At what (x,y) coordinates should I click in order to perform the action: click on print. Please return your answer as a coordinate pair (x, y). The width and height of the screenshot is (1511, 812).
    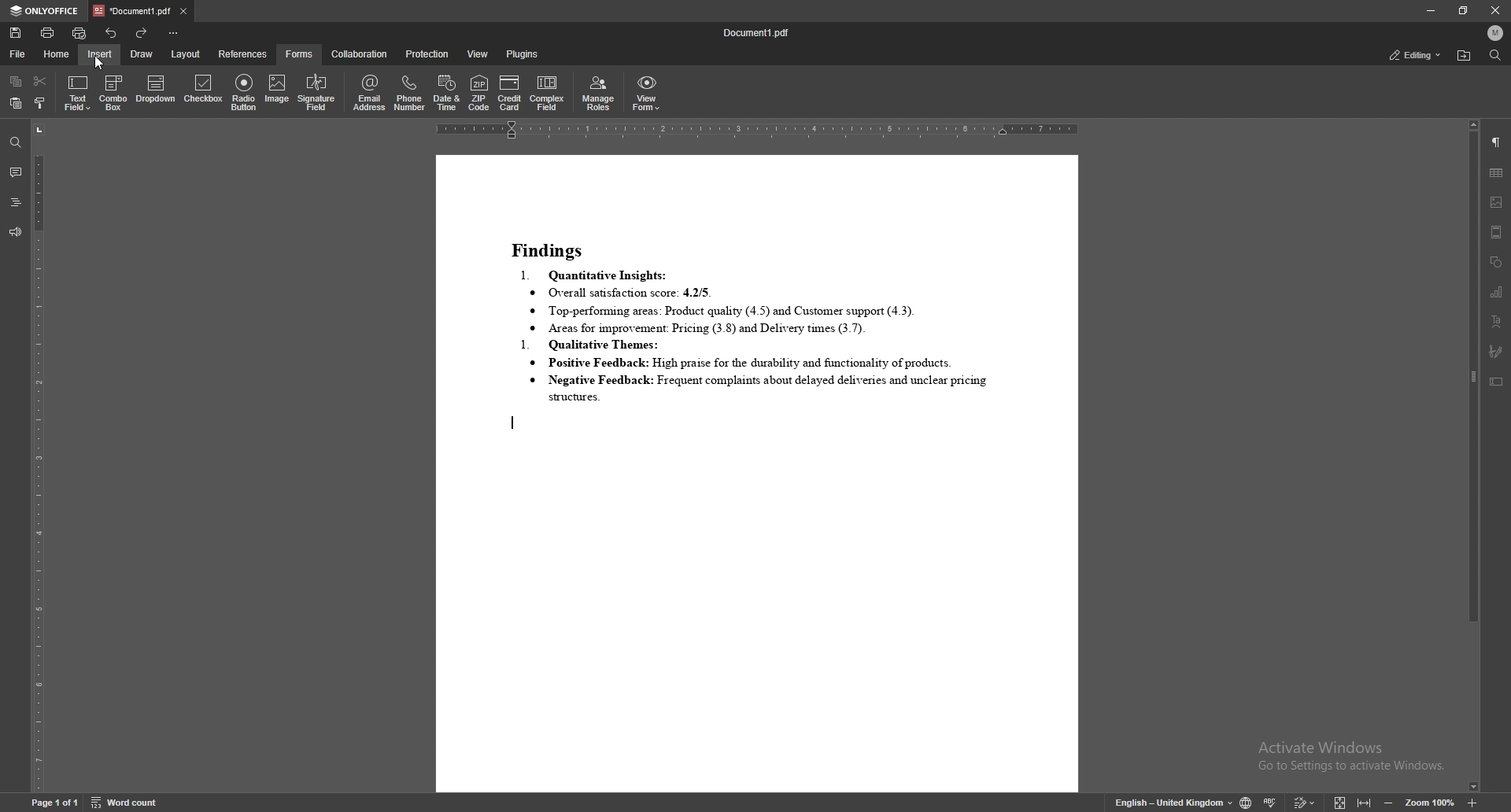
    Looking at the image, I should click on (48, 32).